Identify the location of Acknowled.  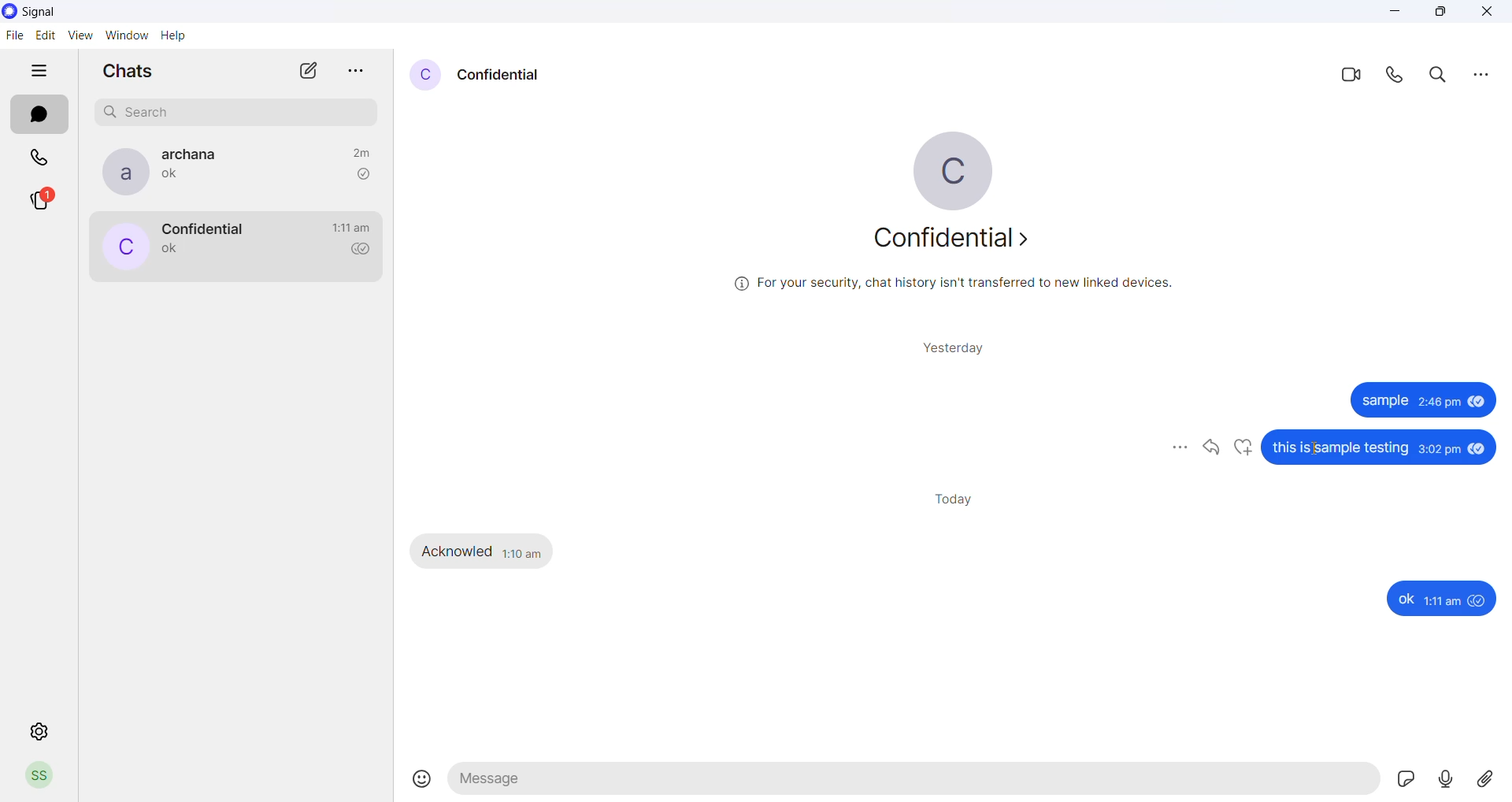
(458, 551).